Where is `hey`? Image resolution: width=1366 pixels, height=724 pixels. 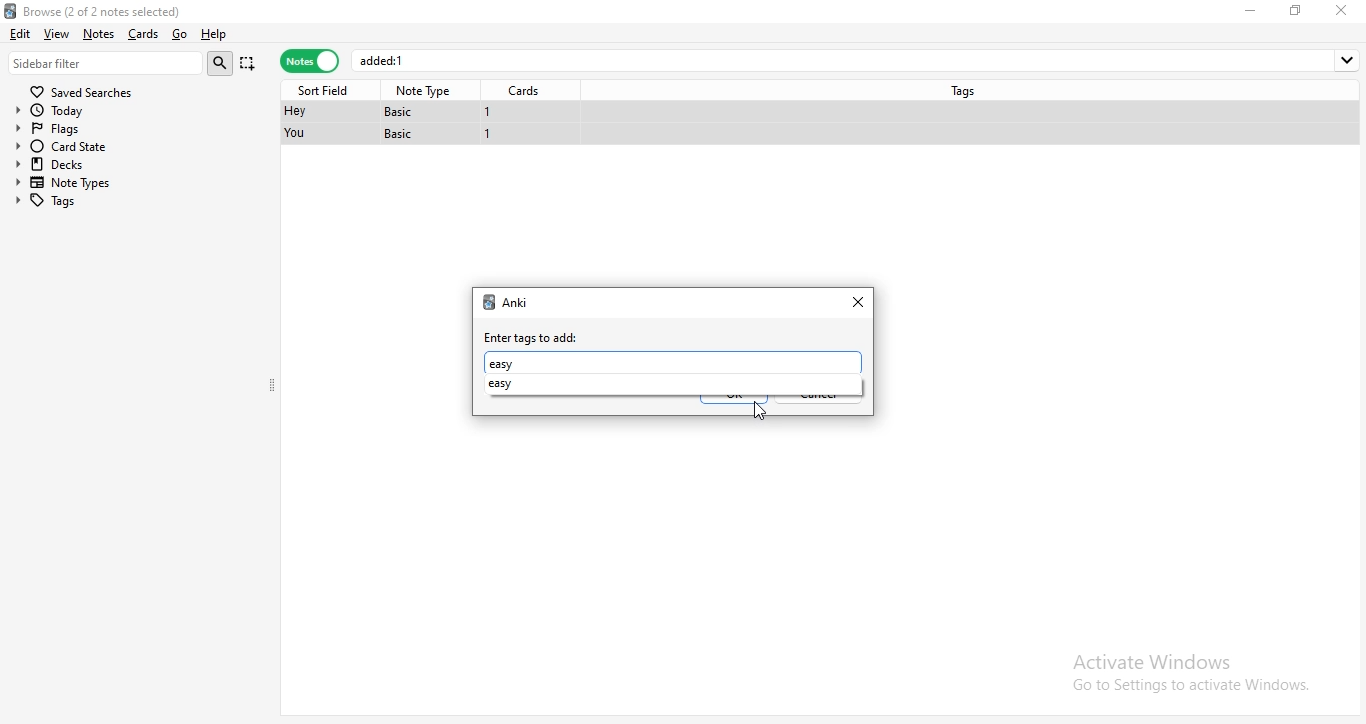
hey is located at coordinates (294, 112).